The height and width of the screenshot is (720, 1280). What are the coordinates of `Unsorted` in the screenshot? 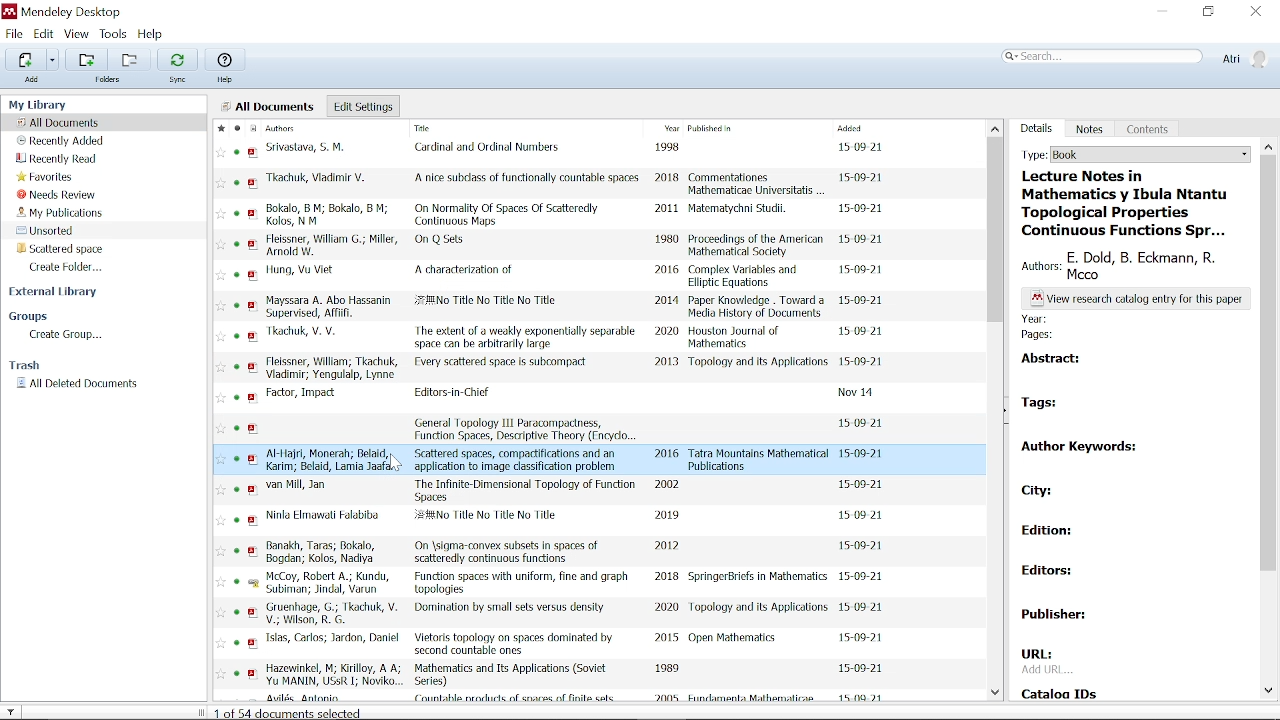 It's located at (50, 230).